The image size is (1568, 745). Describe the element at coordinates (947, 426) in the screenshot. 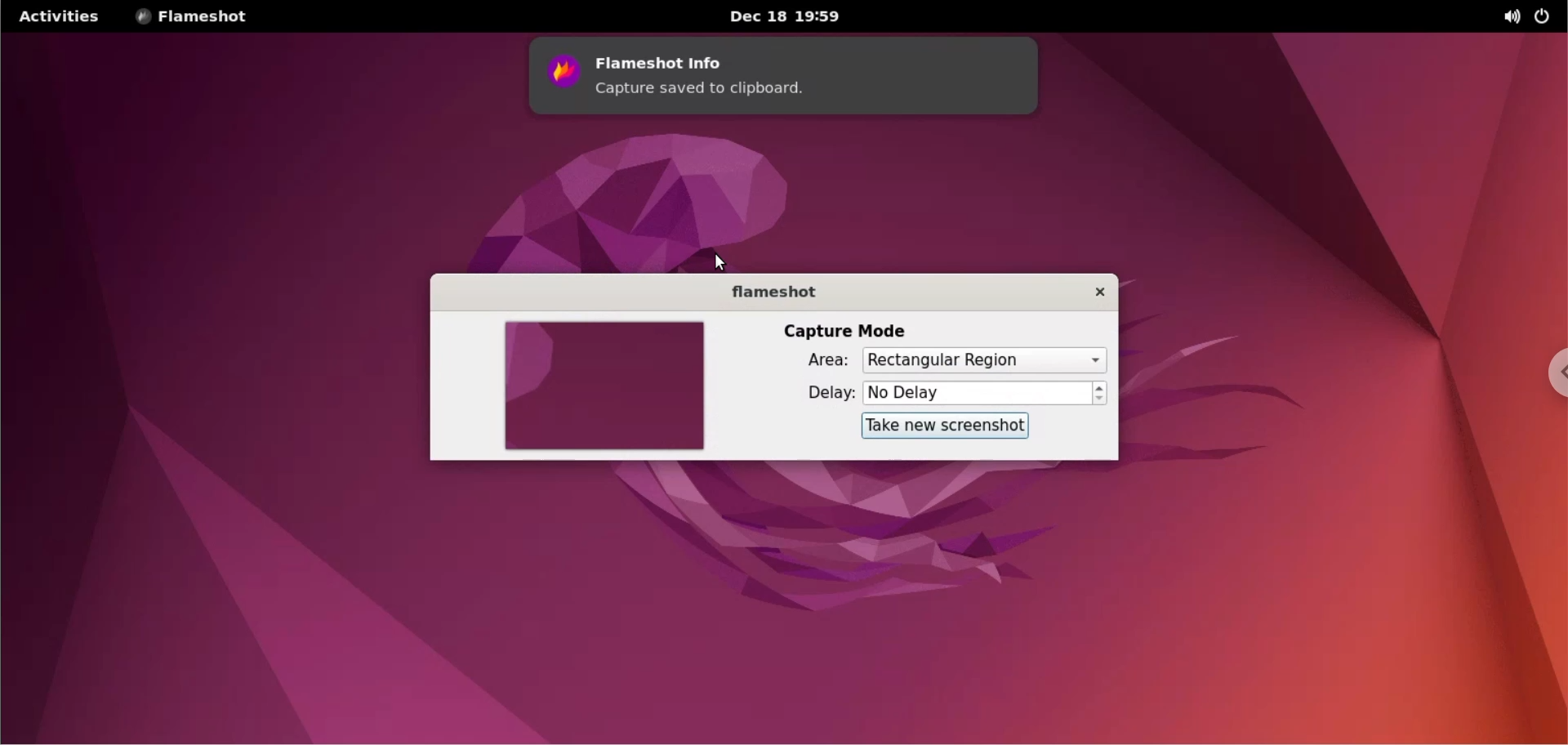

I see `take new screenshot` at that location.